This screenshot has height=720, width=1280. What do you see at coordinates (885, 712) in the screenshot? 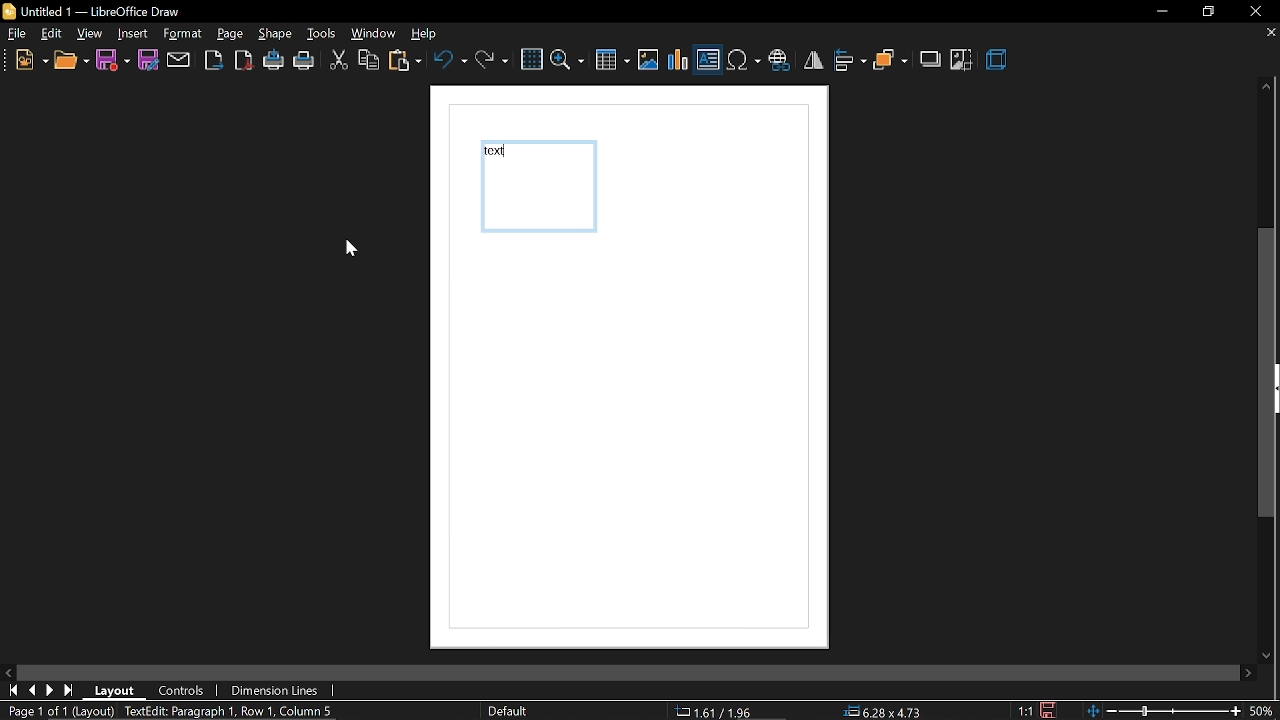
I see `position` at bounding box center [885, 712].